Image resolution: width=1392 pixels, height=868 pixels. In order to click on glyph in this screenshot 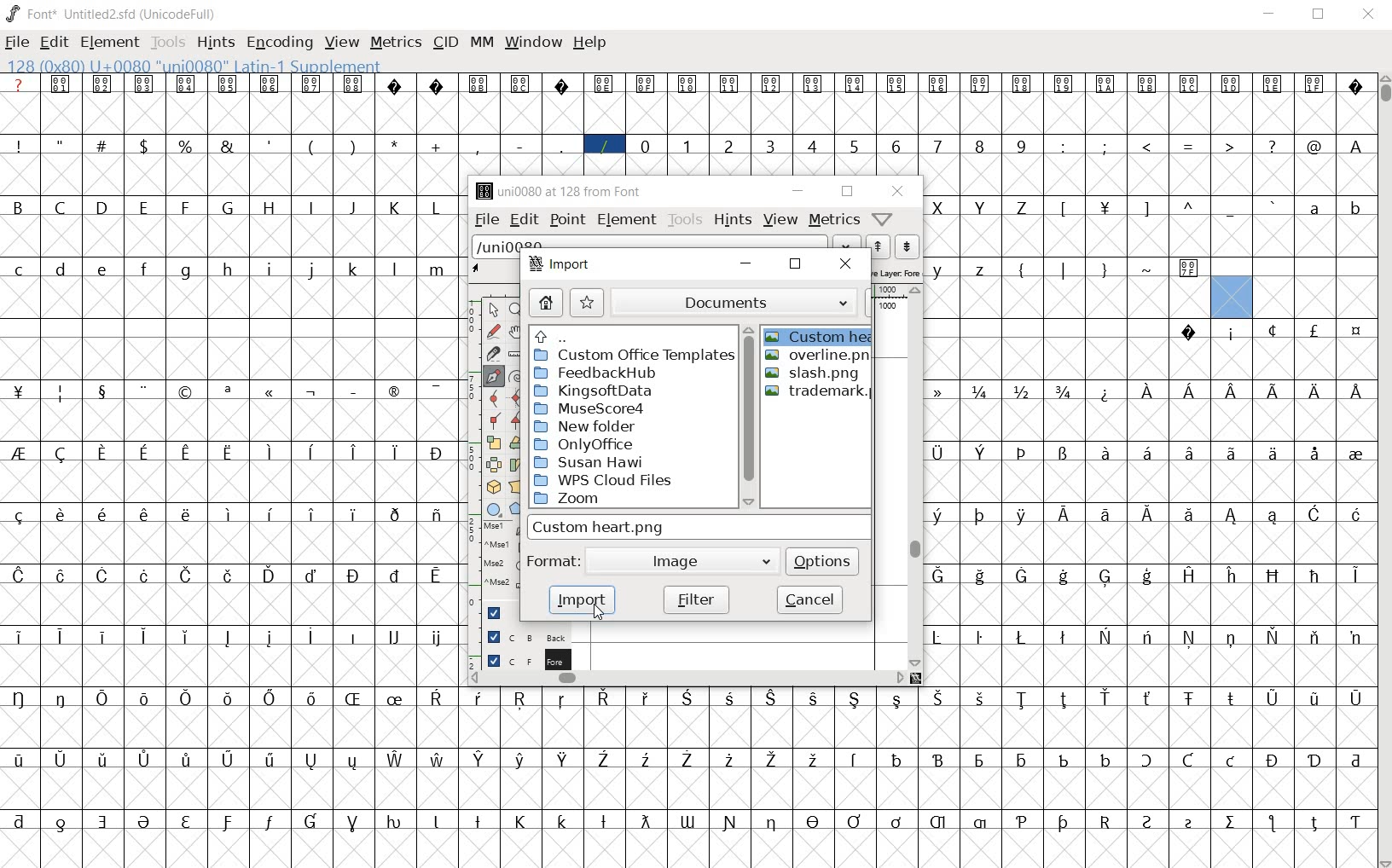, I will do `click(1022, 146)`.